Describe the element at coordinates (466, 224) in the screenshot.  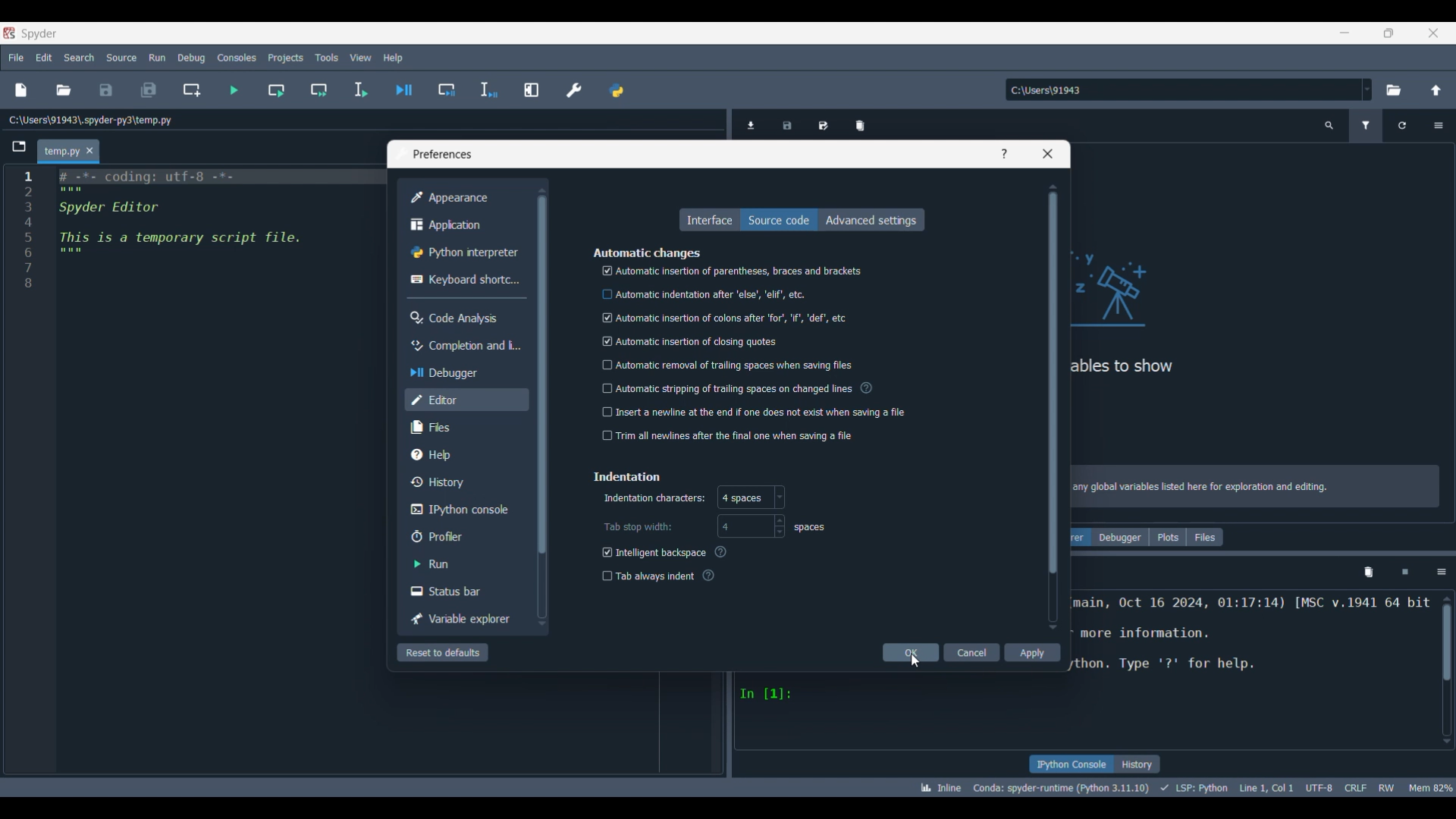
I see `Application` at that location.